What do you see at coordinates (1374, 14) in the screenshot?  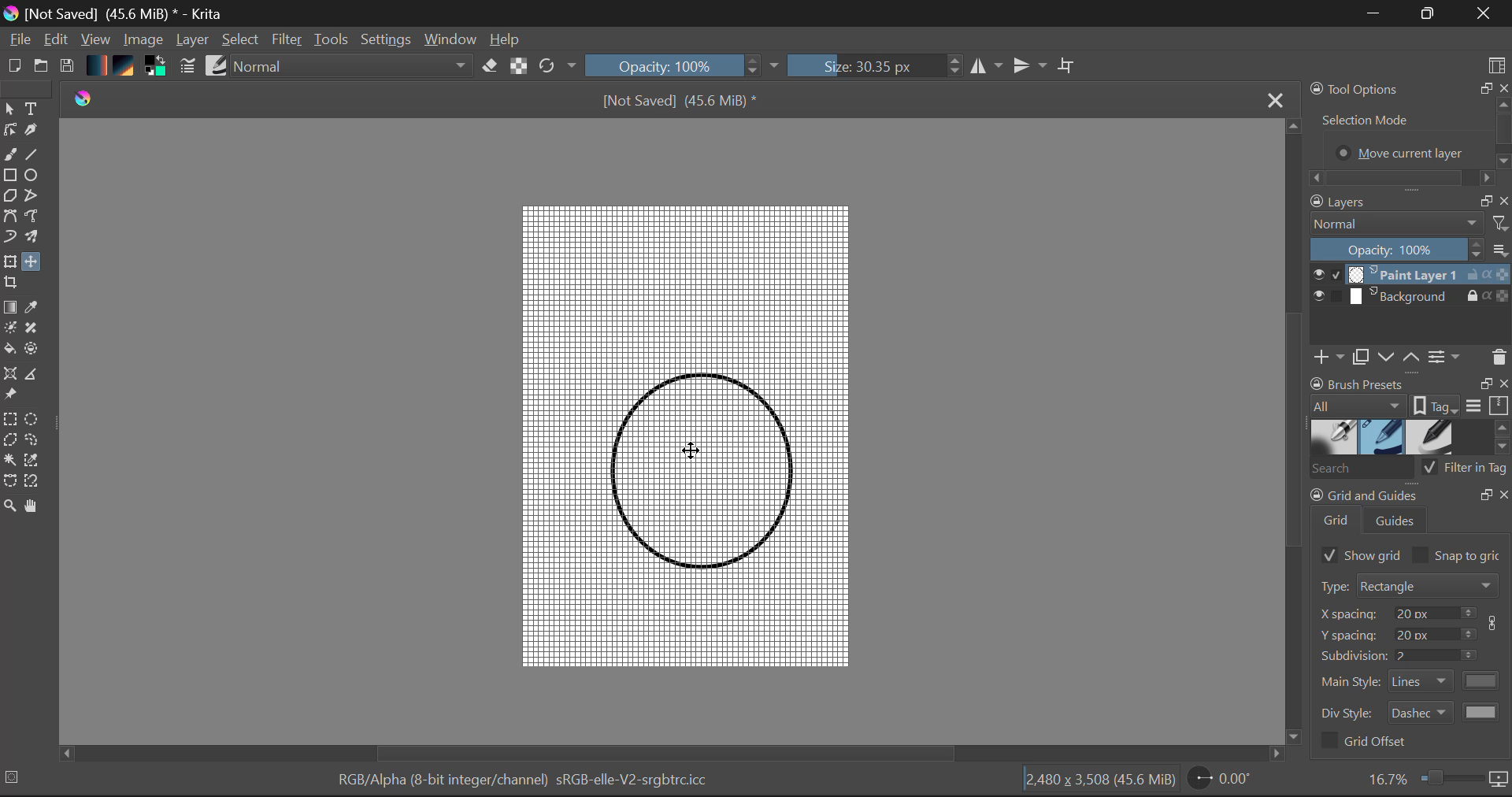 I see `Restore Down` at bounding box center [1374, 14].